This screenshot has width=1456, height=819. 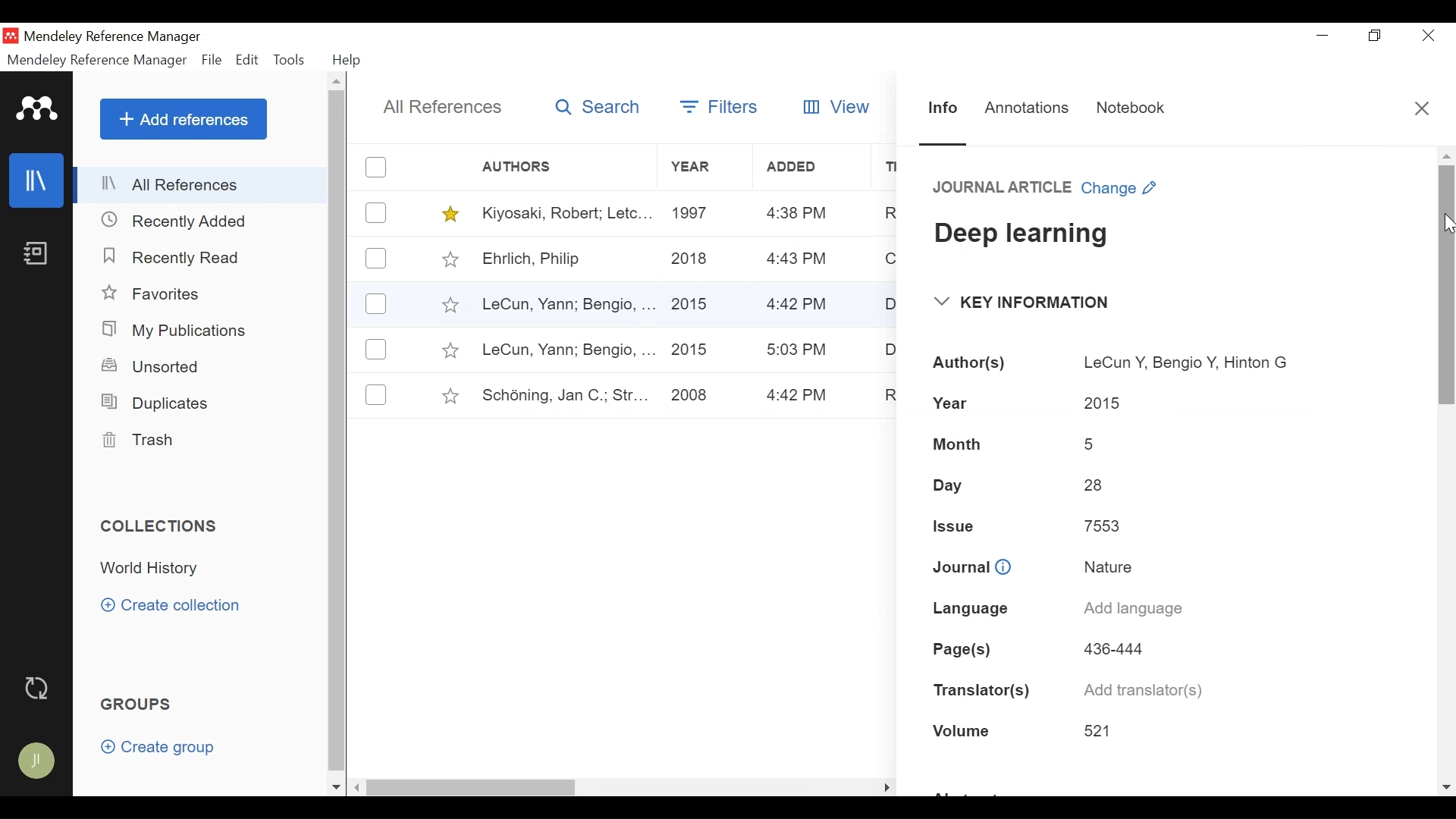 What do you see at coordinates (1103, 731) in the screenshot?
I see `521` at bounding box center [1103, 731].